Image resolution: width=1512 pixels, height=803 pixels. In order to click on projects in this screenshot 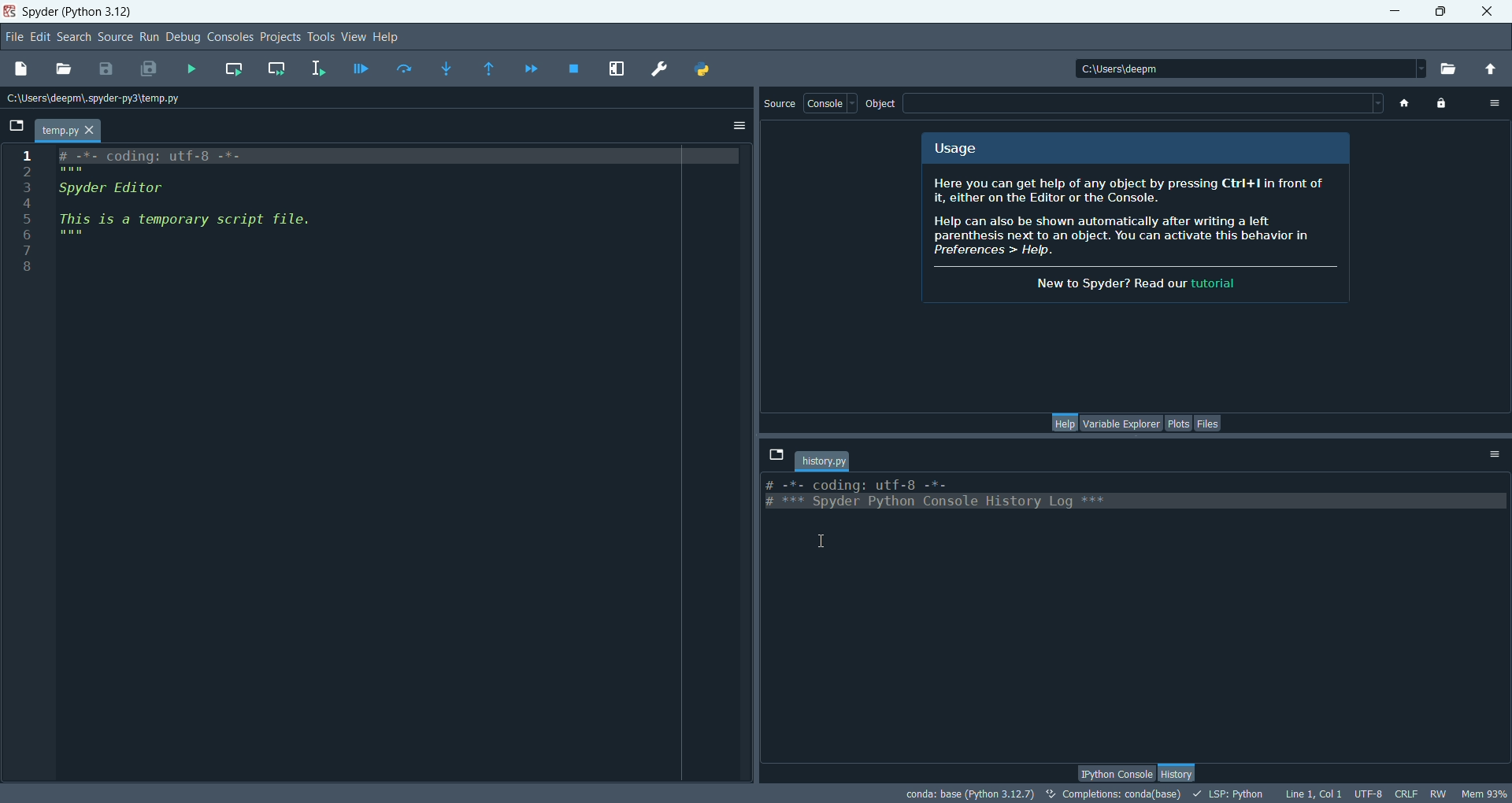, I will do `click(280, 37)`.